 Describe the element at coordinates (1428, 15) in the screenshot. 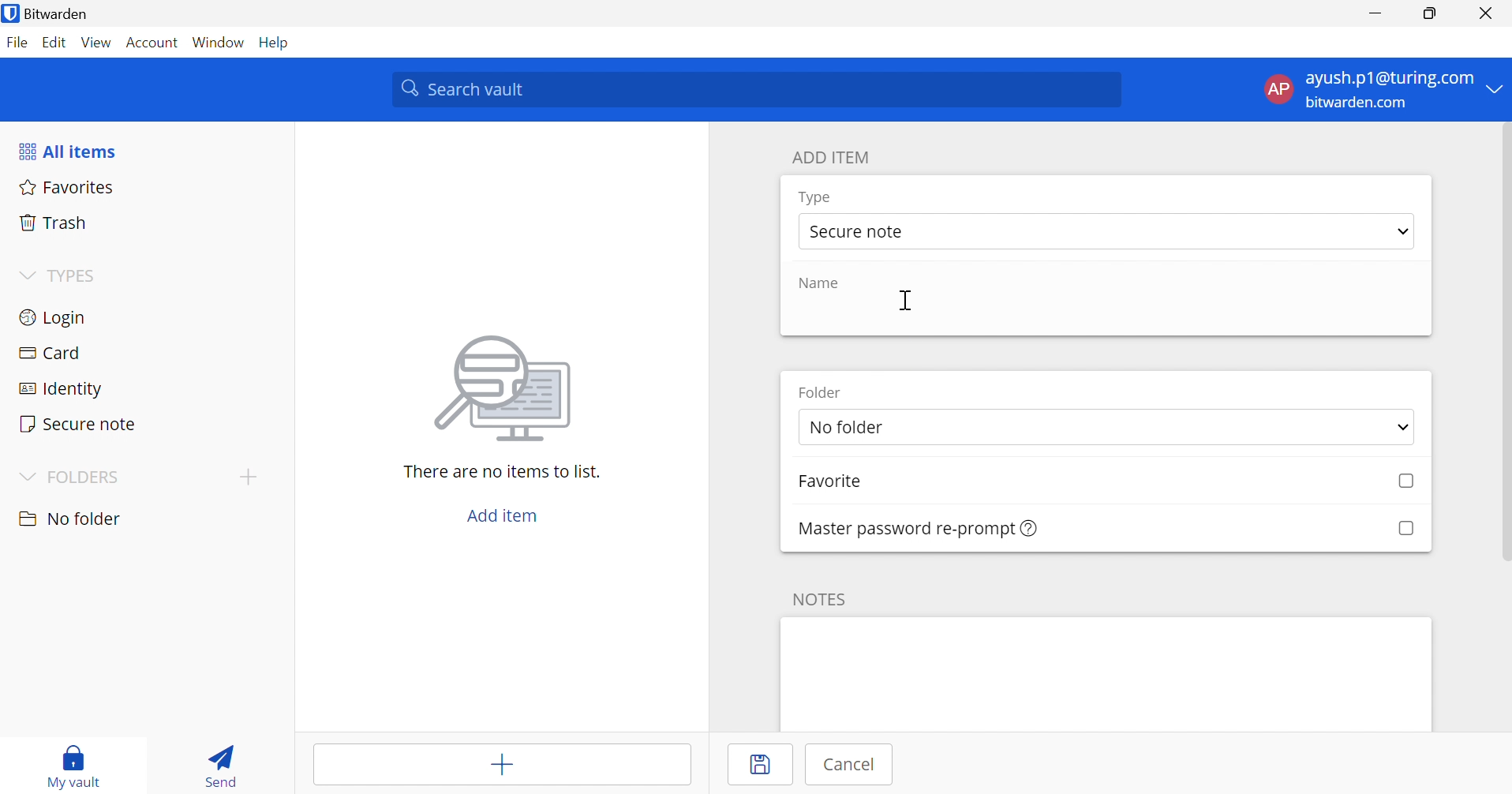

I see `Restore Down` at that location.